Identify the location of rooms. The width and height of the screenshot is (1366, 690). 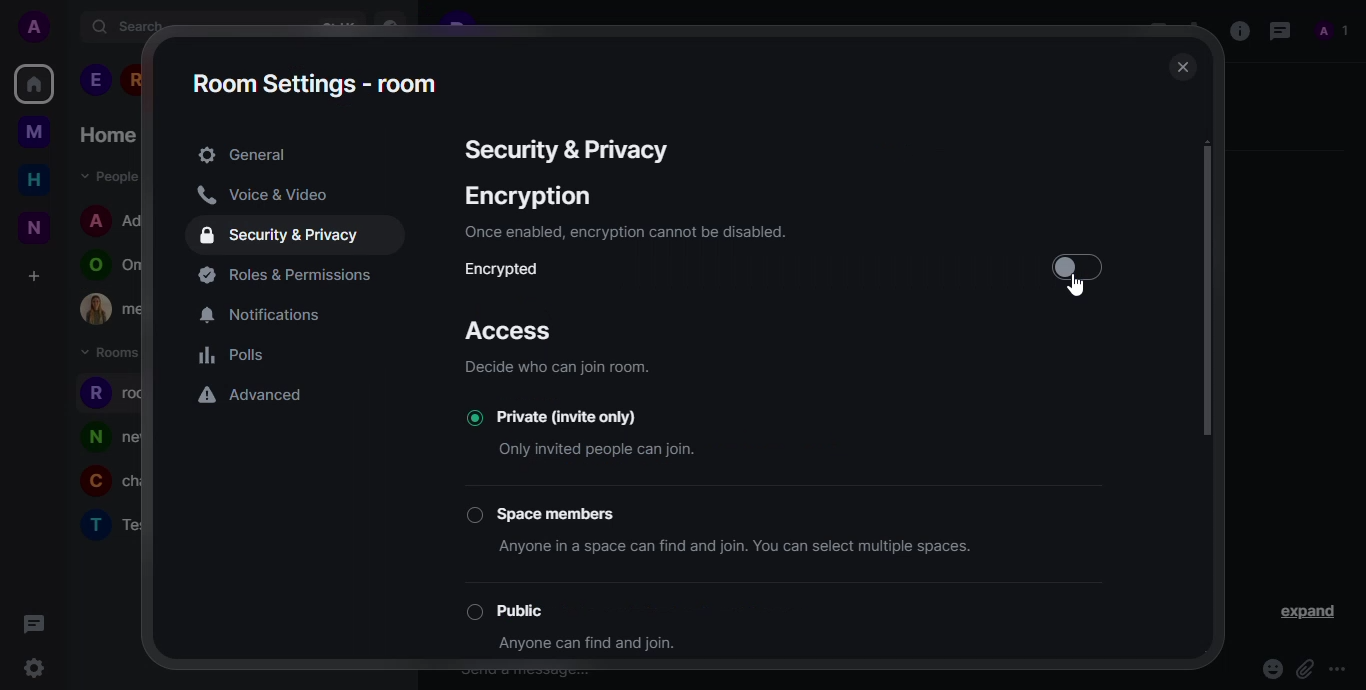
(113, 353).